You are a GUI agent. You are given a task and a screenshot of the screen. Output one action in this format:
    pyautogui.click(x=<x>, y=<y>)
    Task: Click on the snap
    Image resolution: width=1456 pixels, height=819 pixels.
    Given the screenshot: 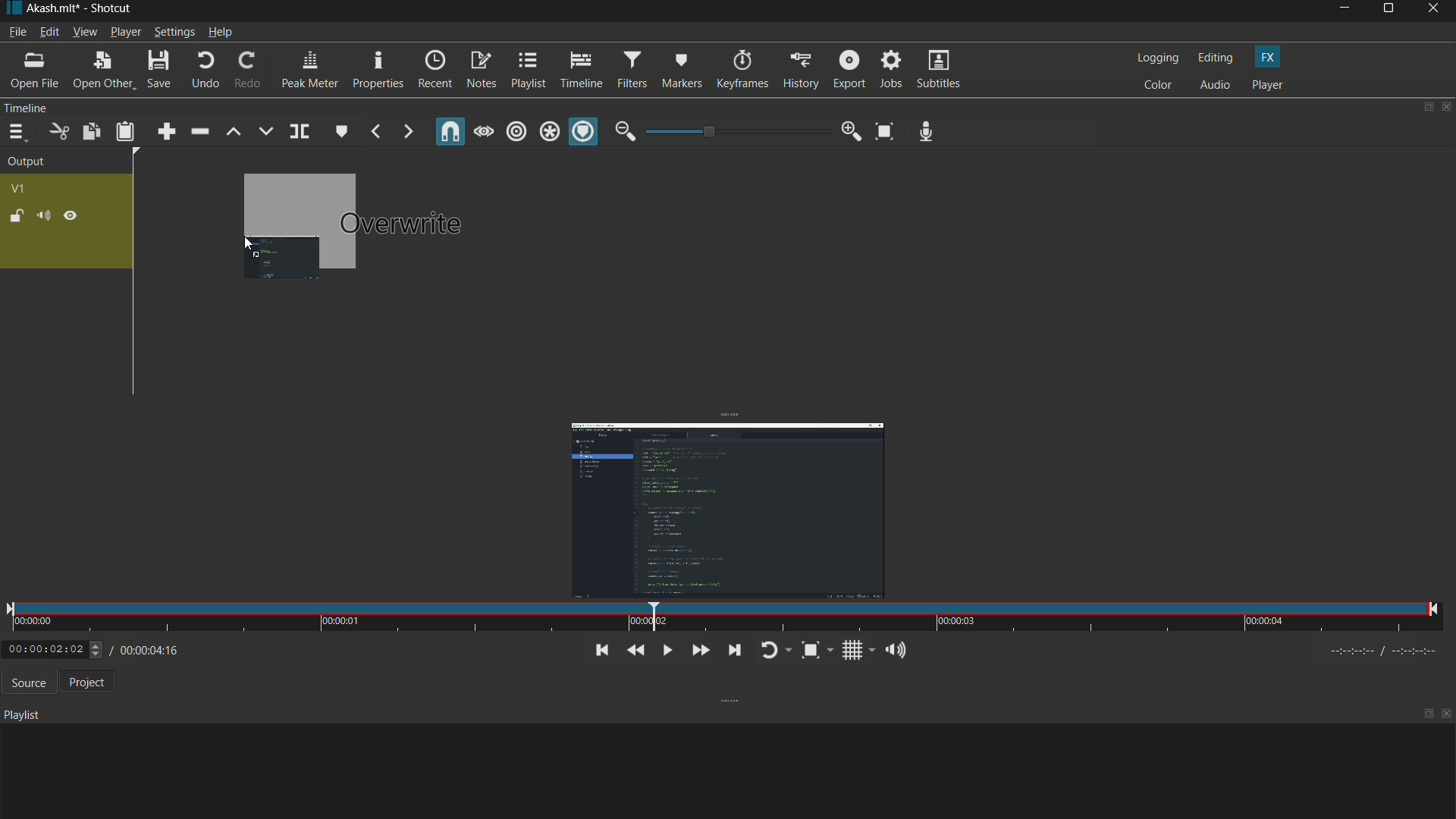 What is the action you would take?
    pyautogui.click(x=452, y=131)
    